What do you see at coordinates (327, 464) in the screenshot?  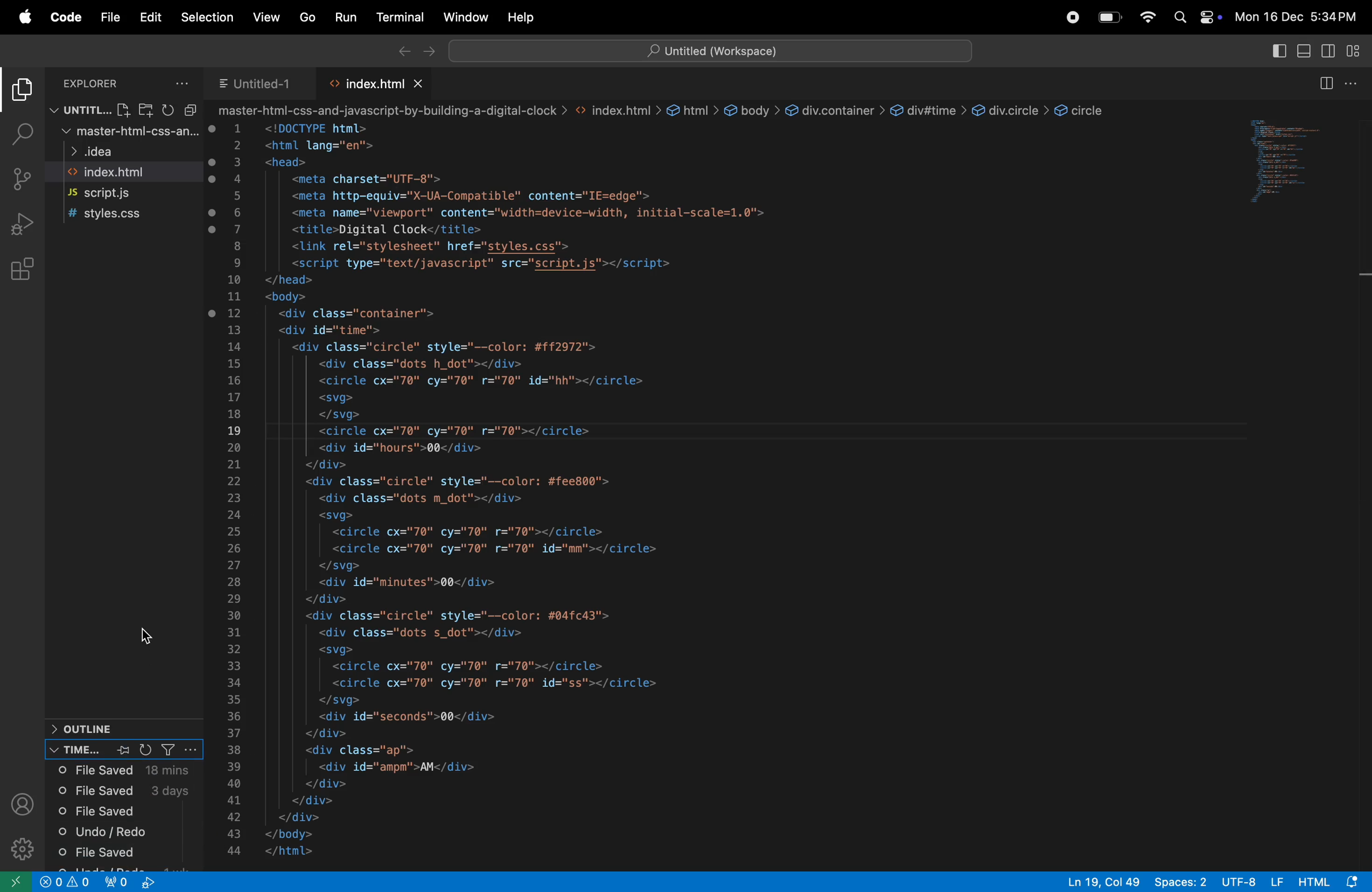 I see `</div>` at bounding box center [327, 464].